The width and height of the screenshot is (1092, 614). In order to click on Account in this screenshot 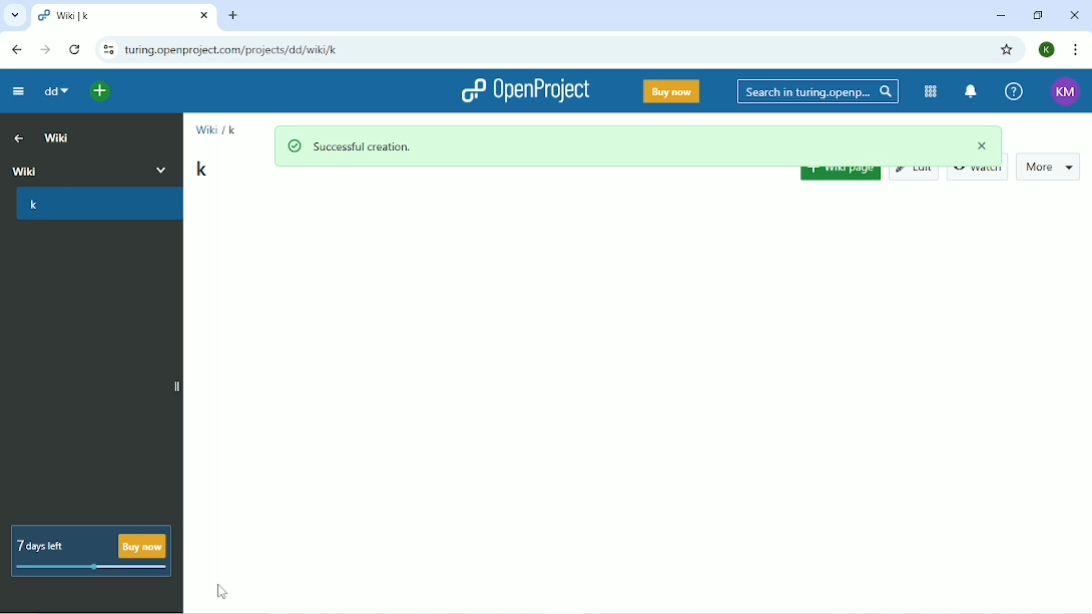, I will do `click(1047, 50)`.